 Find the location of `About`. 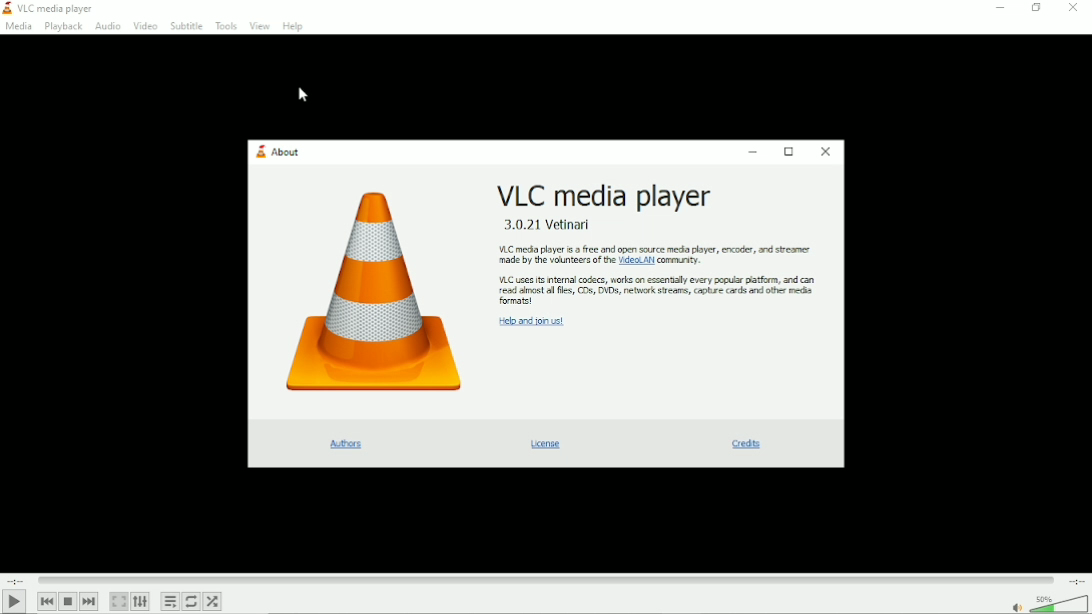

About is located at coordinates (279, 150).